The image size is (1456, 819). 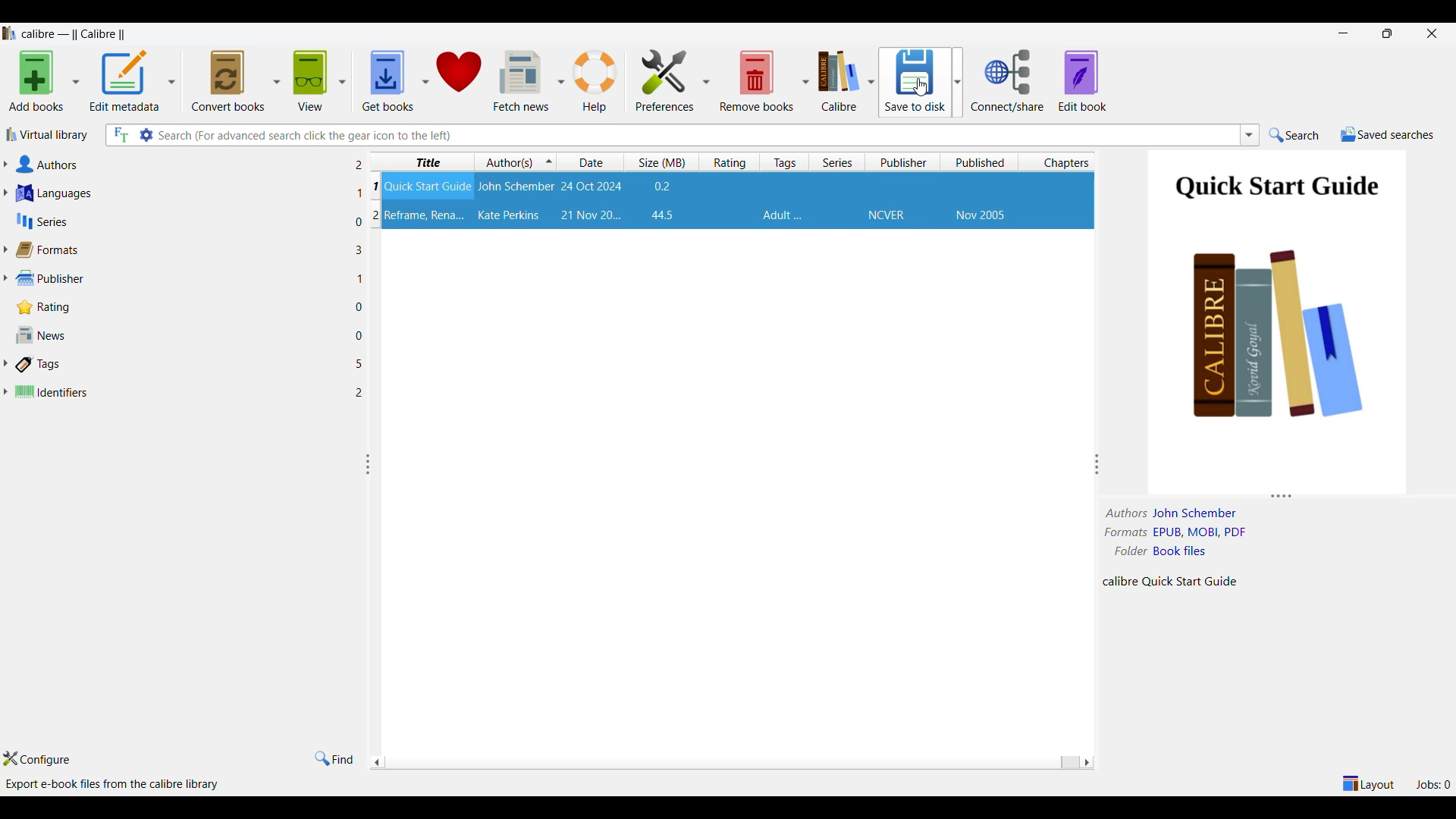 What do you see at coordinates (334, 759) in the screenshot?
I see `Find` at bounding box center [334, 759].